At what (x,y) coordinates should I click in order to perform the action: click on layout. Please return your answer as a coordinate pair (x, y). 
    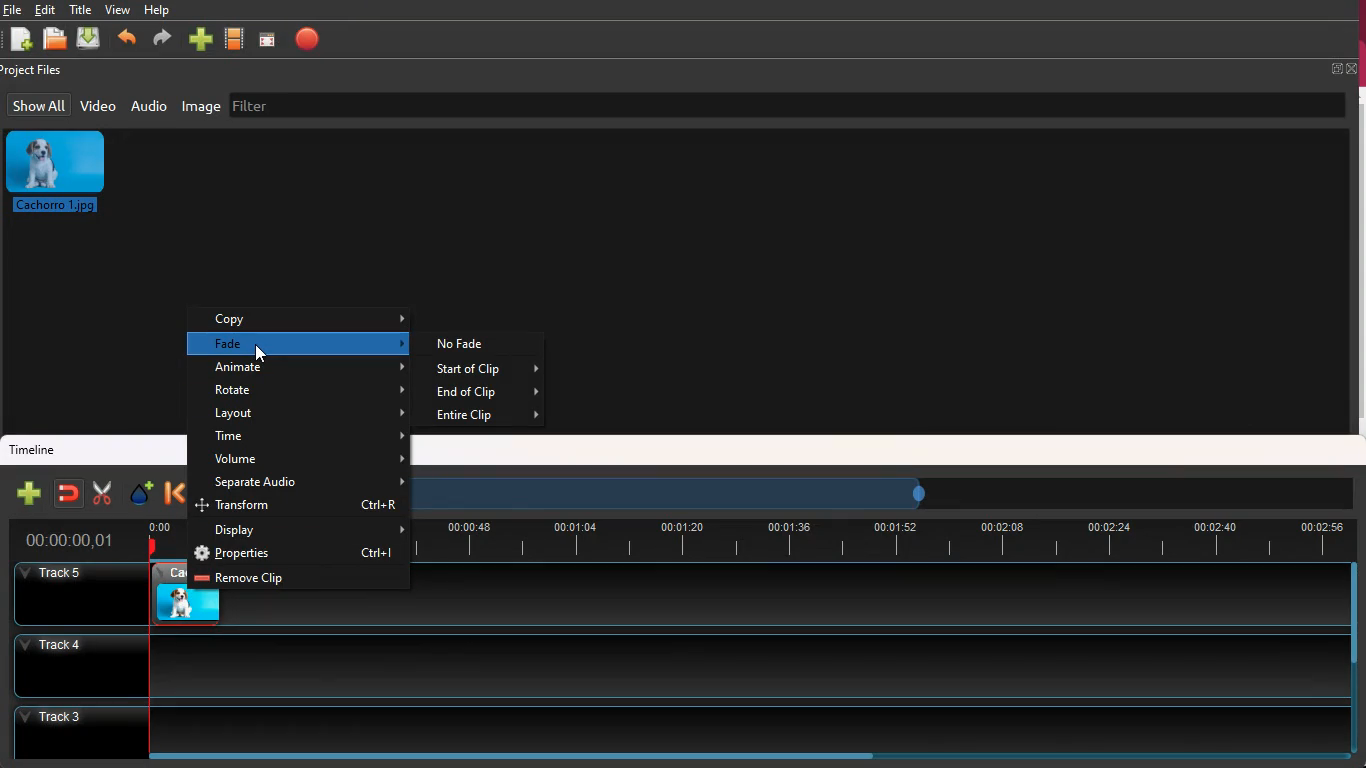
    Looking at the image, I should click on (309, 415).